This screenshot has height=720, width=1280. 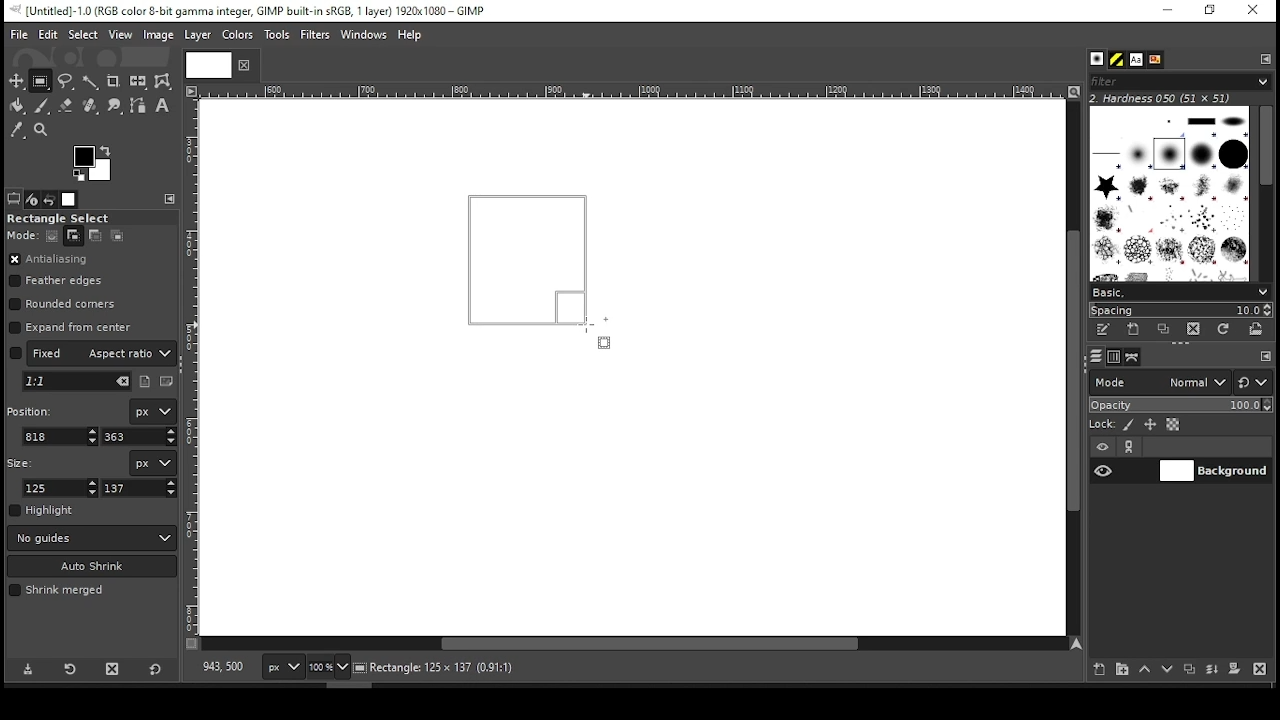 I want to click on layer , so click(x=1213, y=471).